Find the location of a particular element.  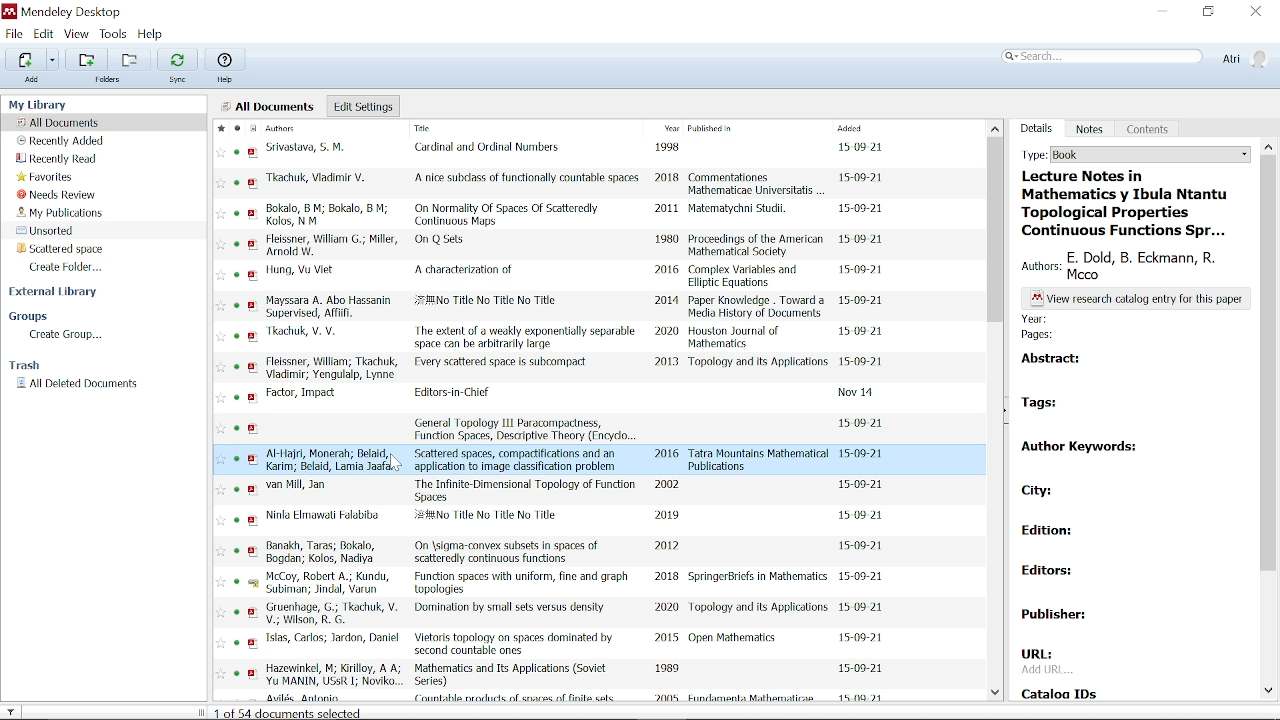

favorites is located at coordinates (220, 414).